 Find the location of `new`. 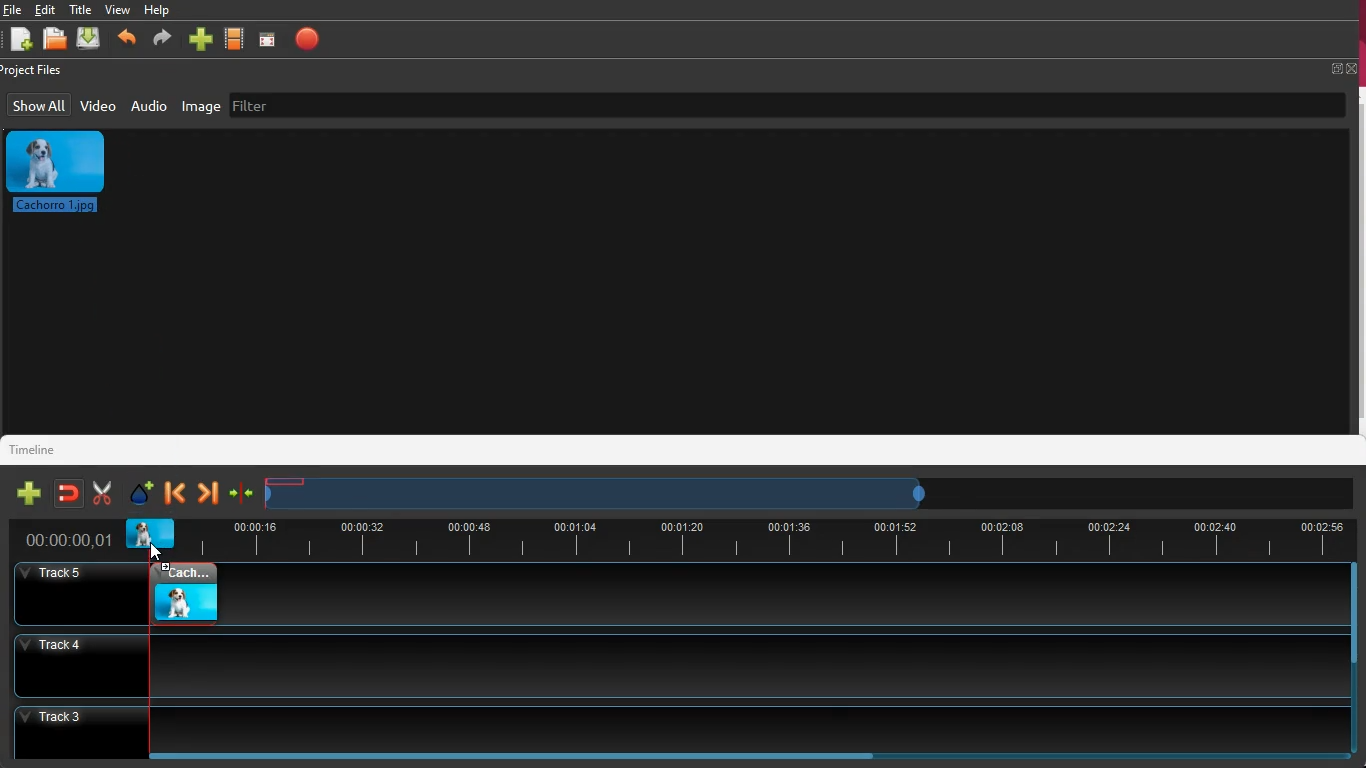

new is located at coordinates (30, 494).